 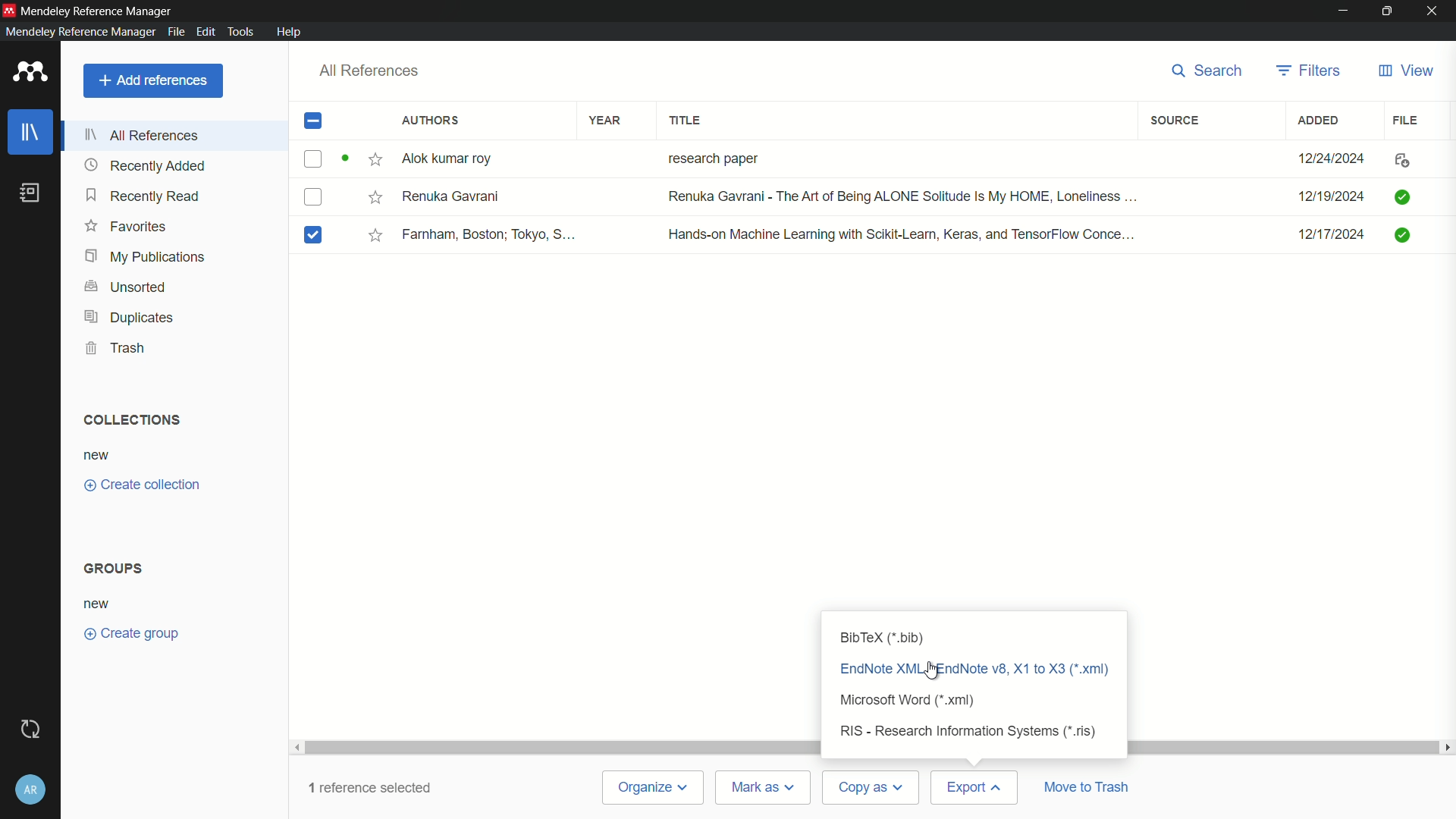 I want to click on new, so click(x=99, y=604).